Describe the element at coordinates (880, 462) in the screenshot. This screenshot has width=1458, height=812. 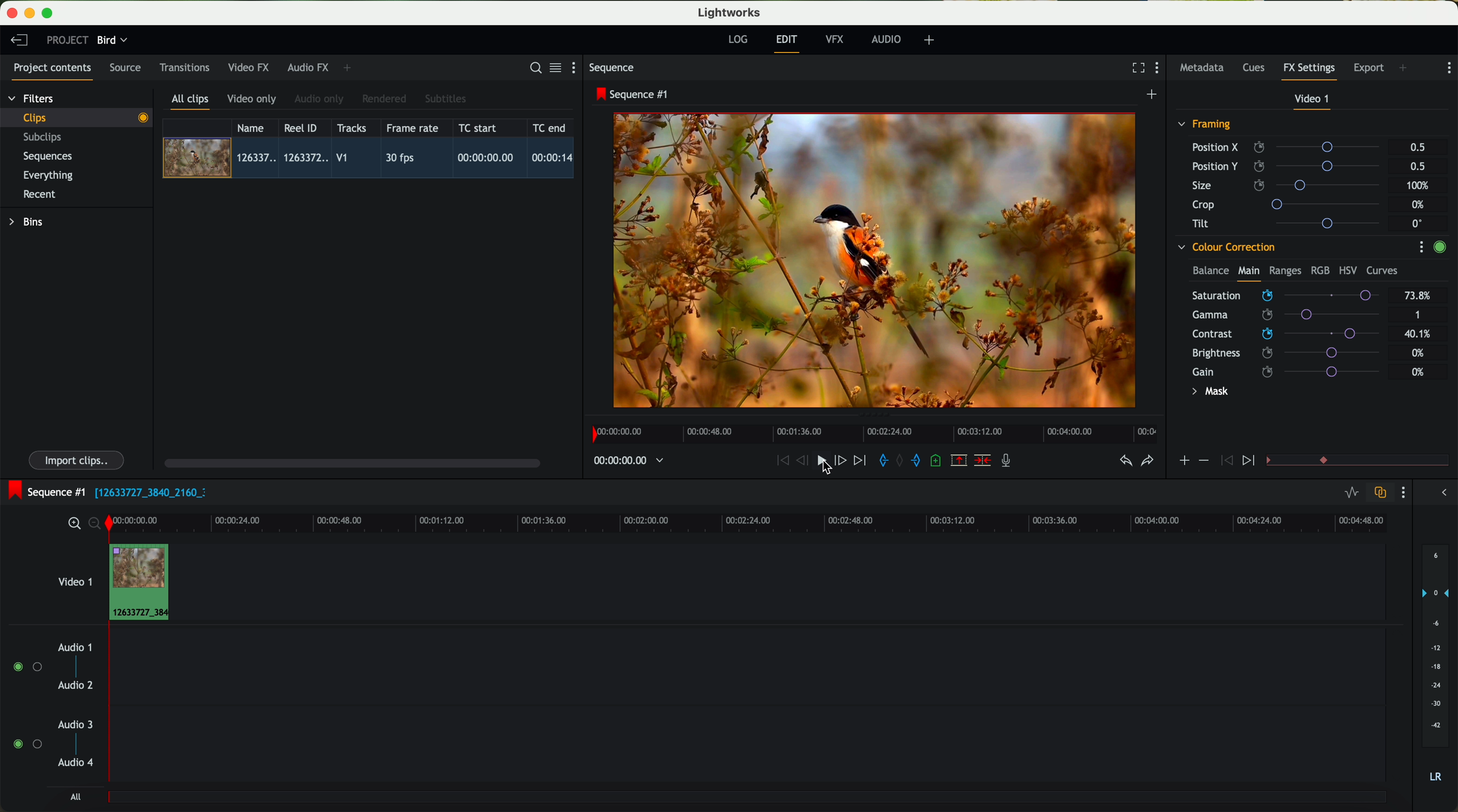
I see `add 'in' mark` at that location.